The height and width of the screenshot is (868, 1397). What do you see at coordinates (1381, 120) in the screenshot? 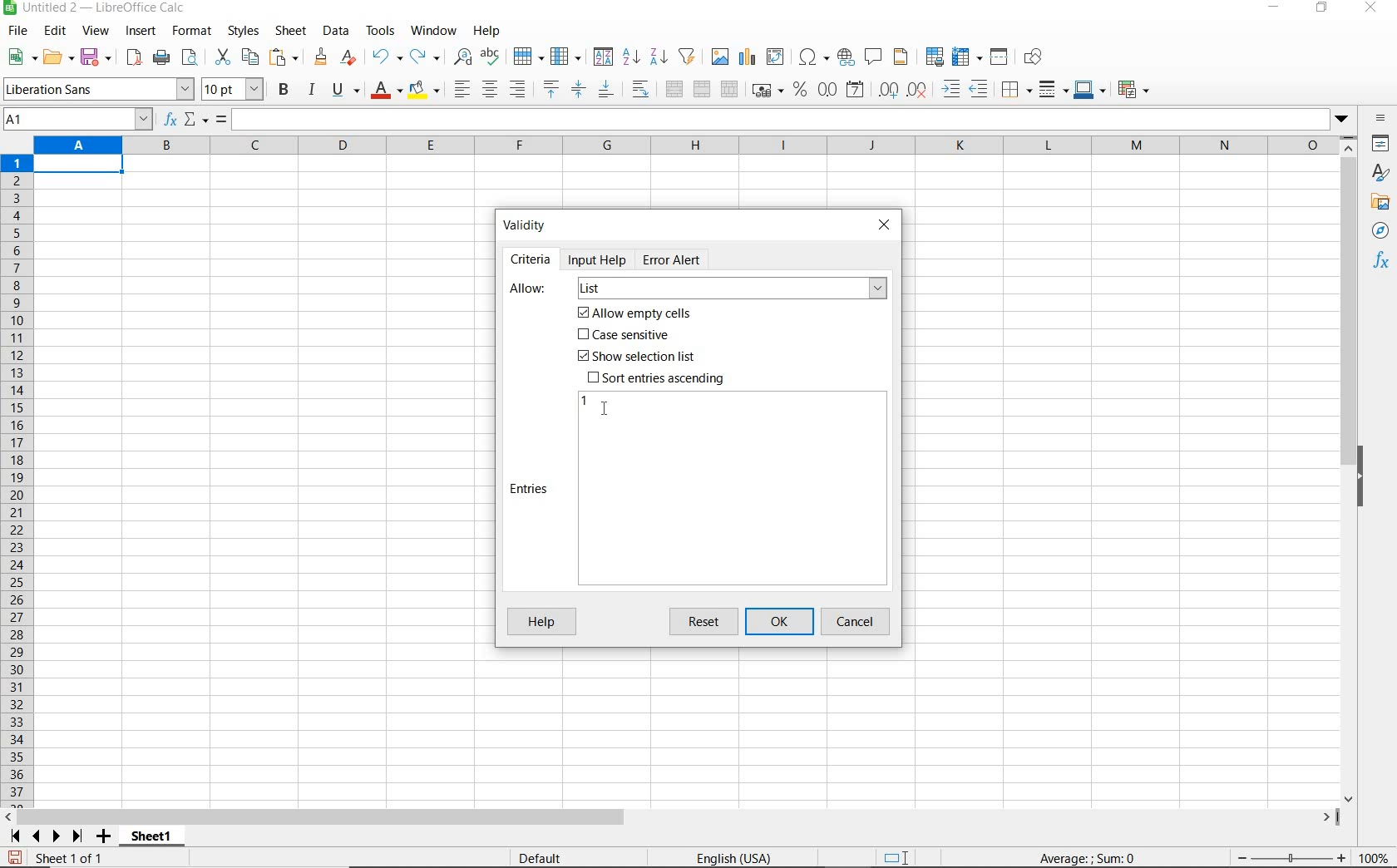
I see `sidebar settings` at bounding box center [1381, 120].